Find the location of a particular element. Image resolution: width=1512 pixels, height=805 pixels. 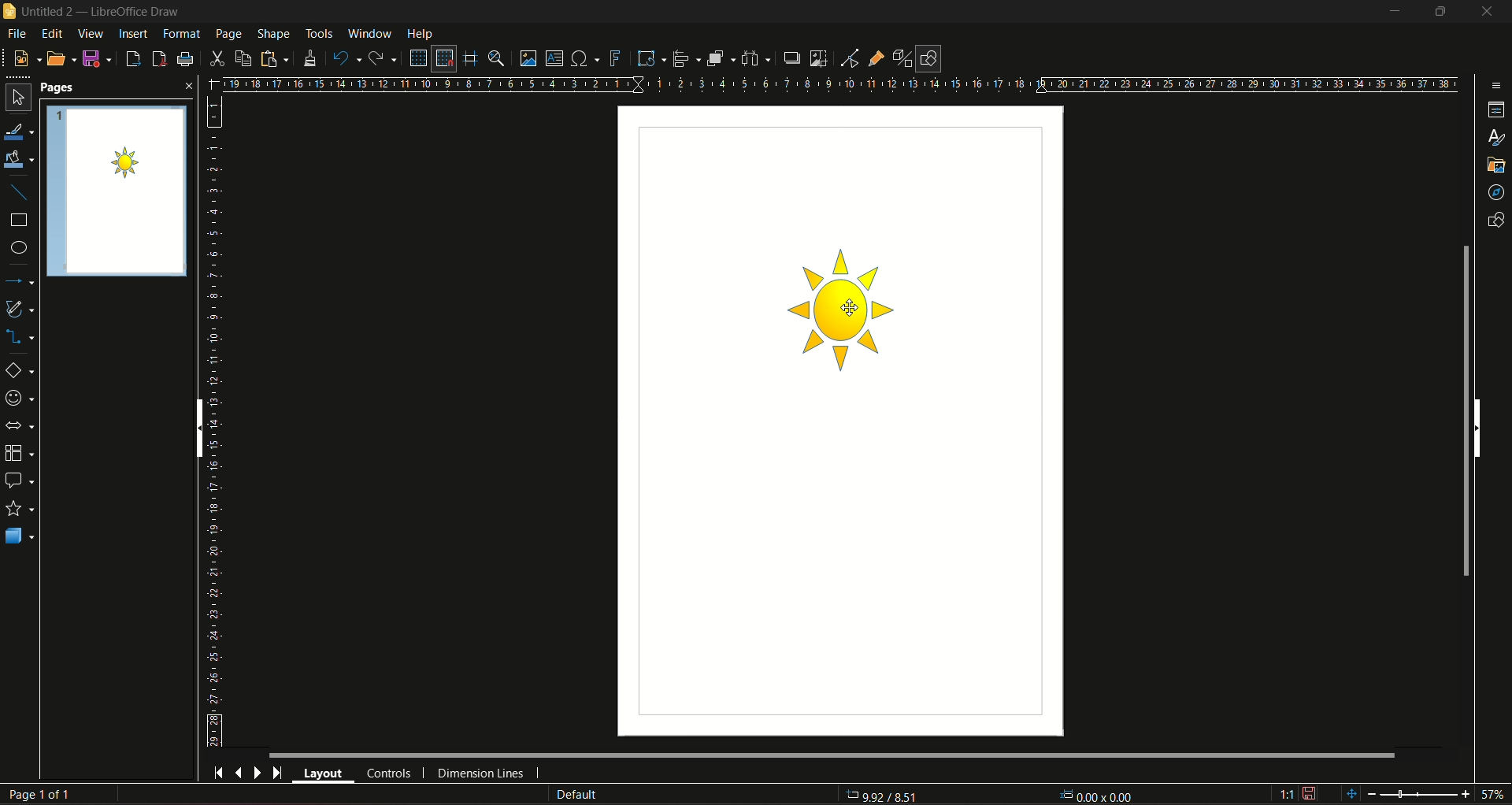

symbol shapes is located at coordinates (21, 399).